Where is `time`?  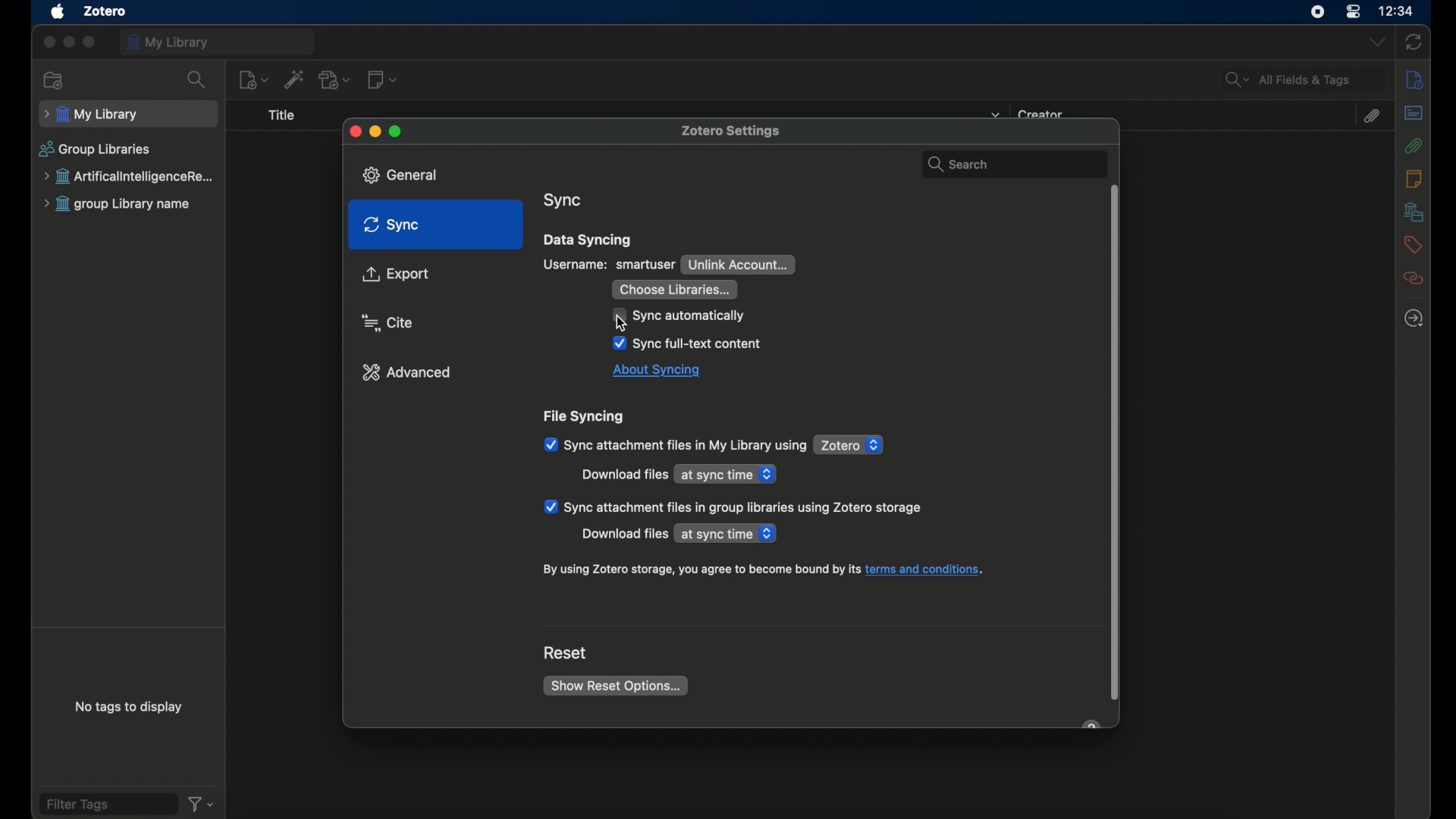
time is located at coordinates (1397, 11).